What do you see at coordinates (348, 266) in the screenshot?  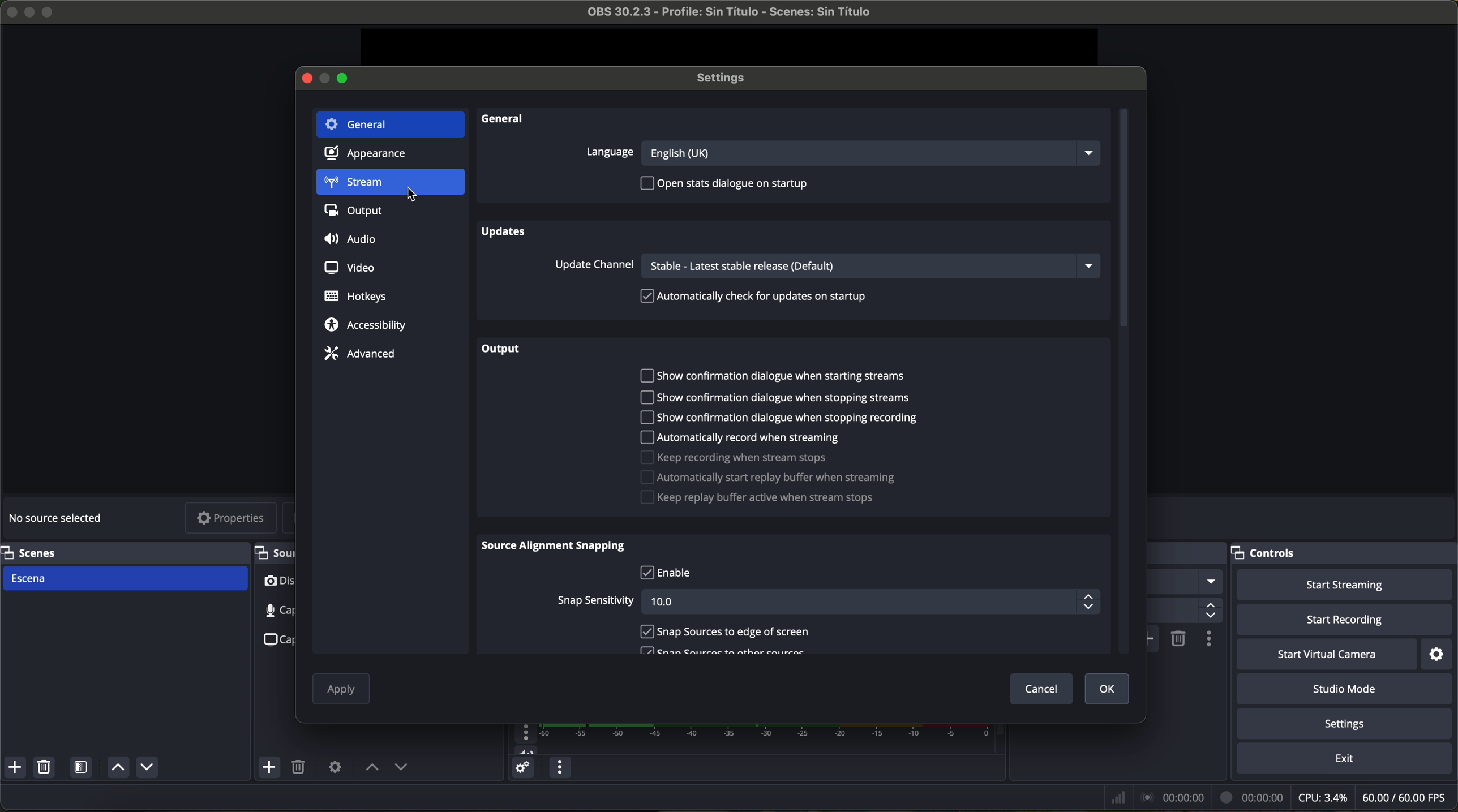 I see `video` at bounding box center [348, 266].